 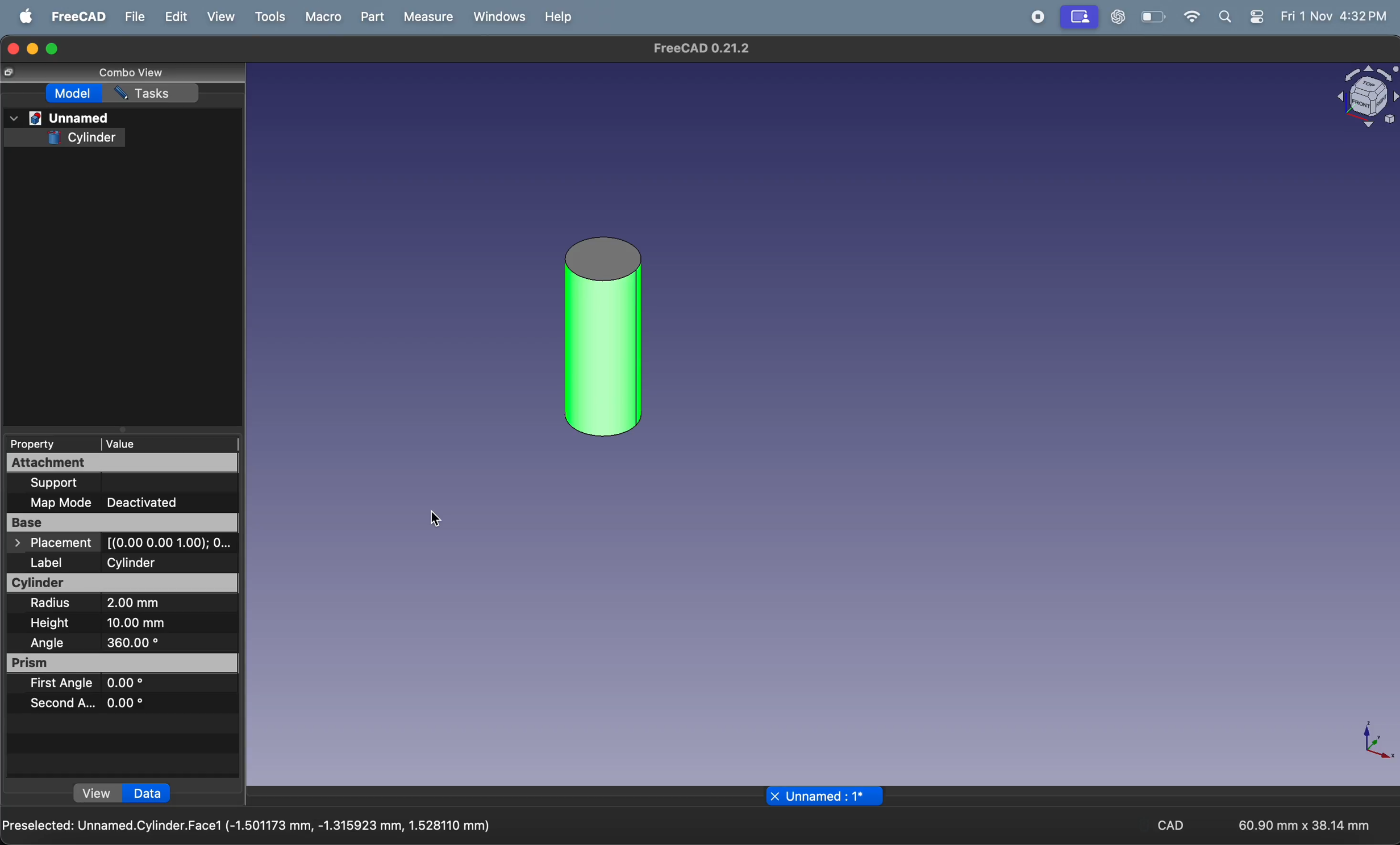 I want to click on attachment, so click(x=123, y=463).